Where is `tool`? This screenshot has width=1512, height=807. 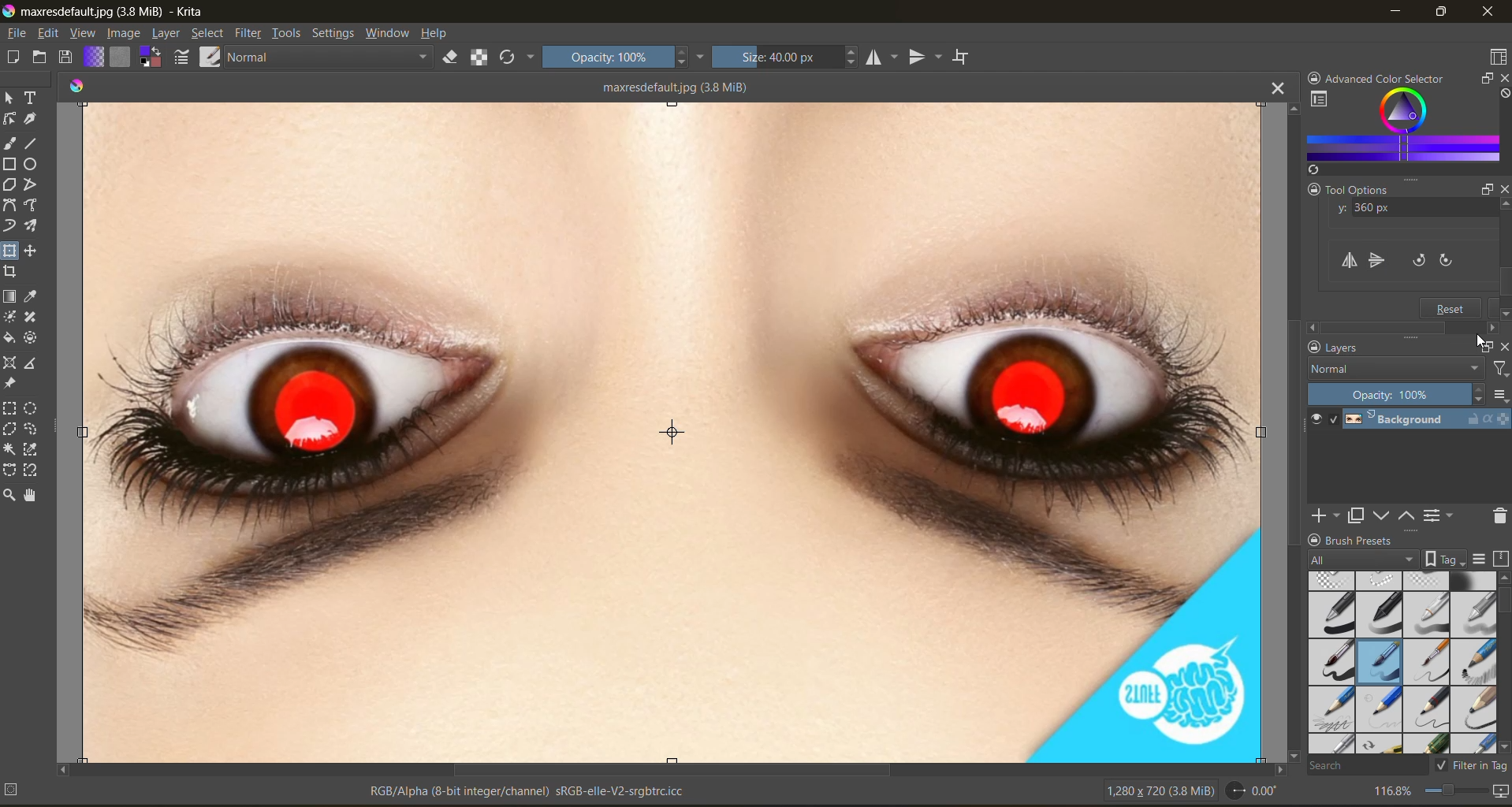 tool is located at coordinates (11, 119).